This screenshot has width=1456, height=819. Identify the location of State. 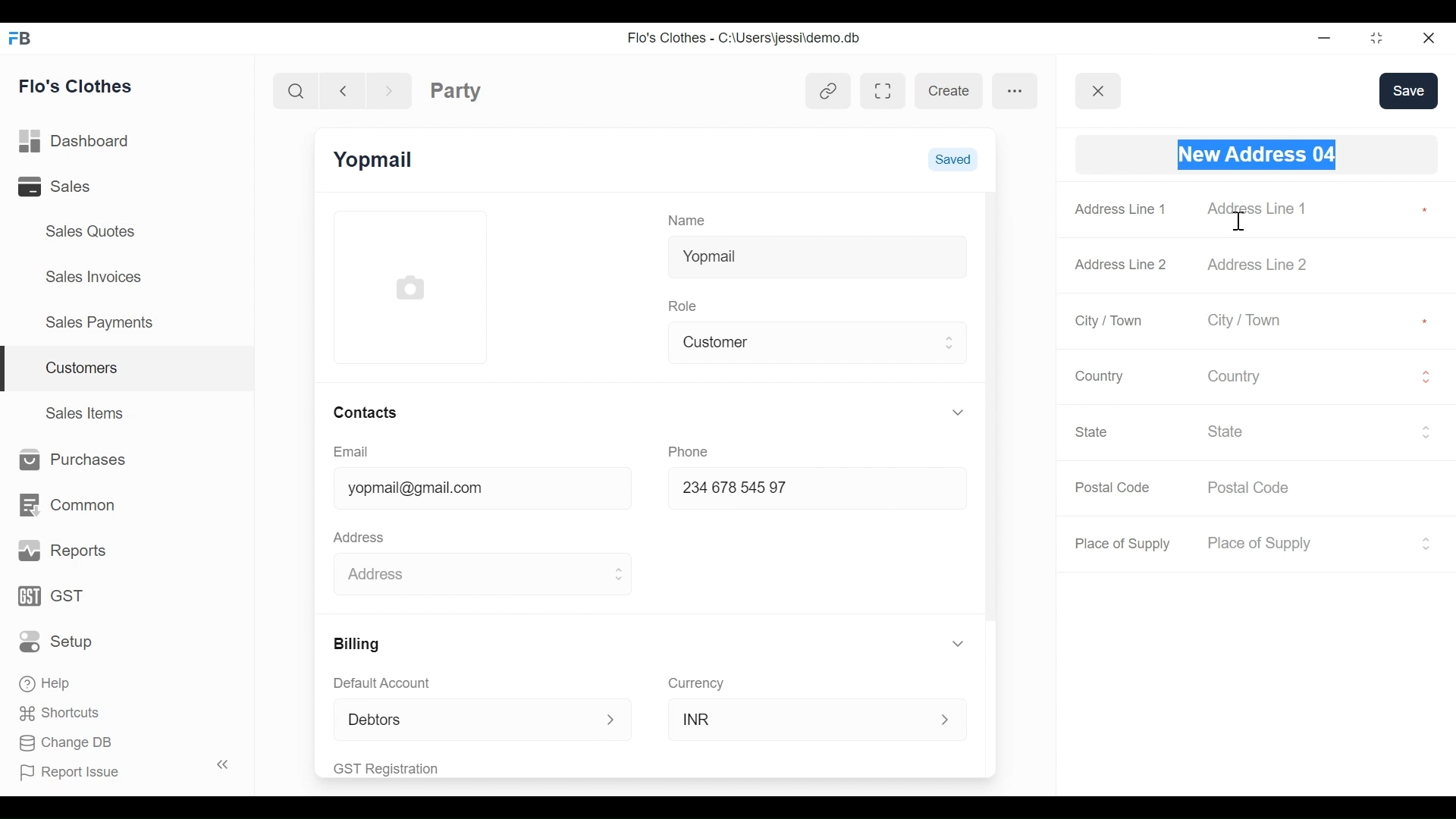
(1094, 431).